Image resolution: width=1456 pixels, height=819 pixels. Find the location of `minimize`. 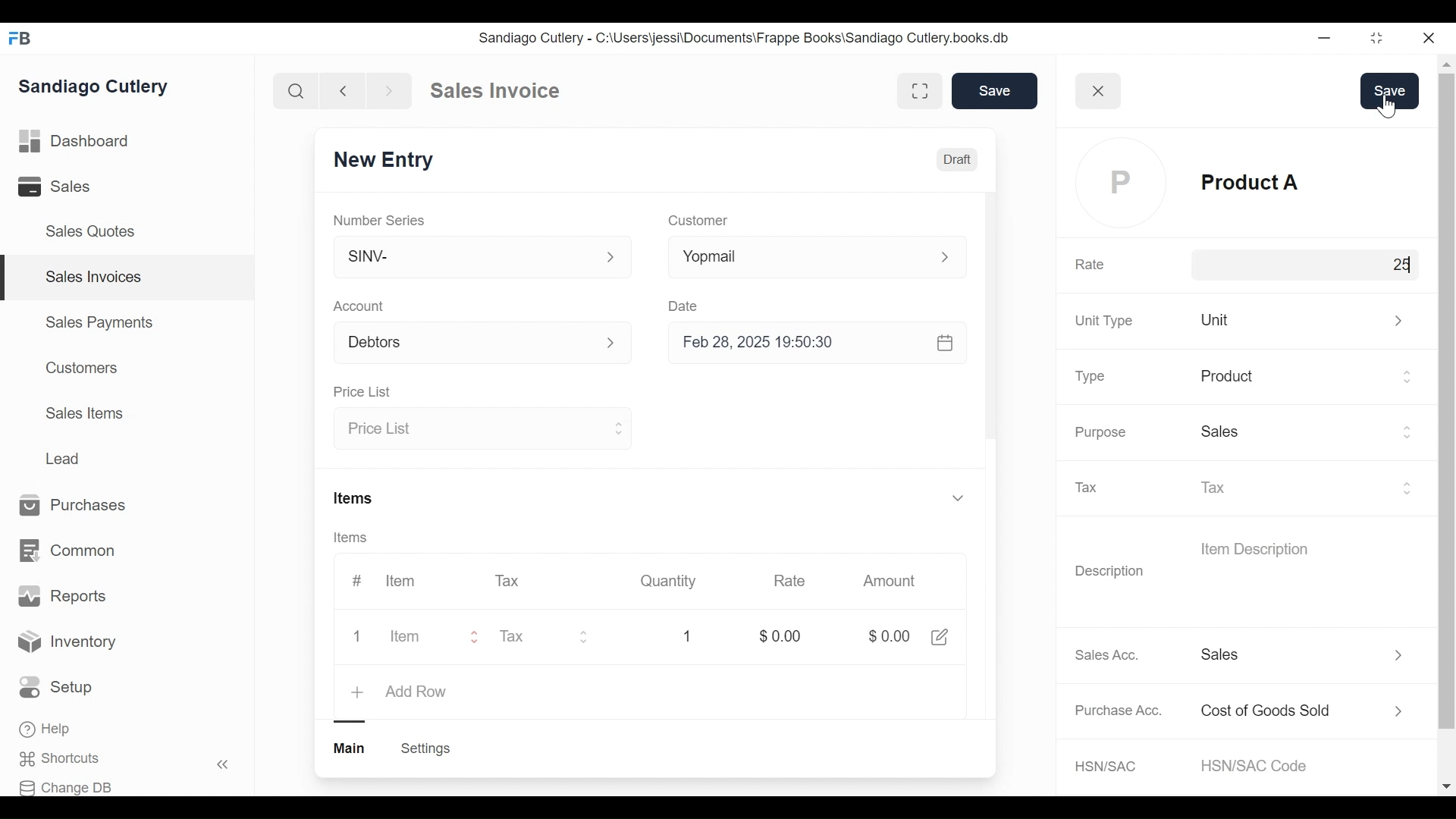

minimize is located at coordinates (1324, 37).